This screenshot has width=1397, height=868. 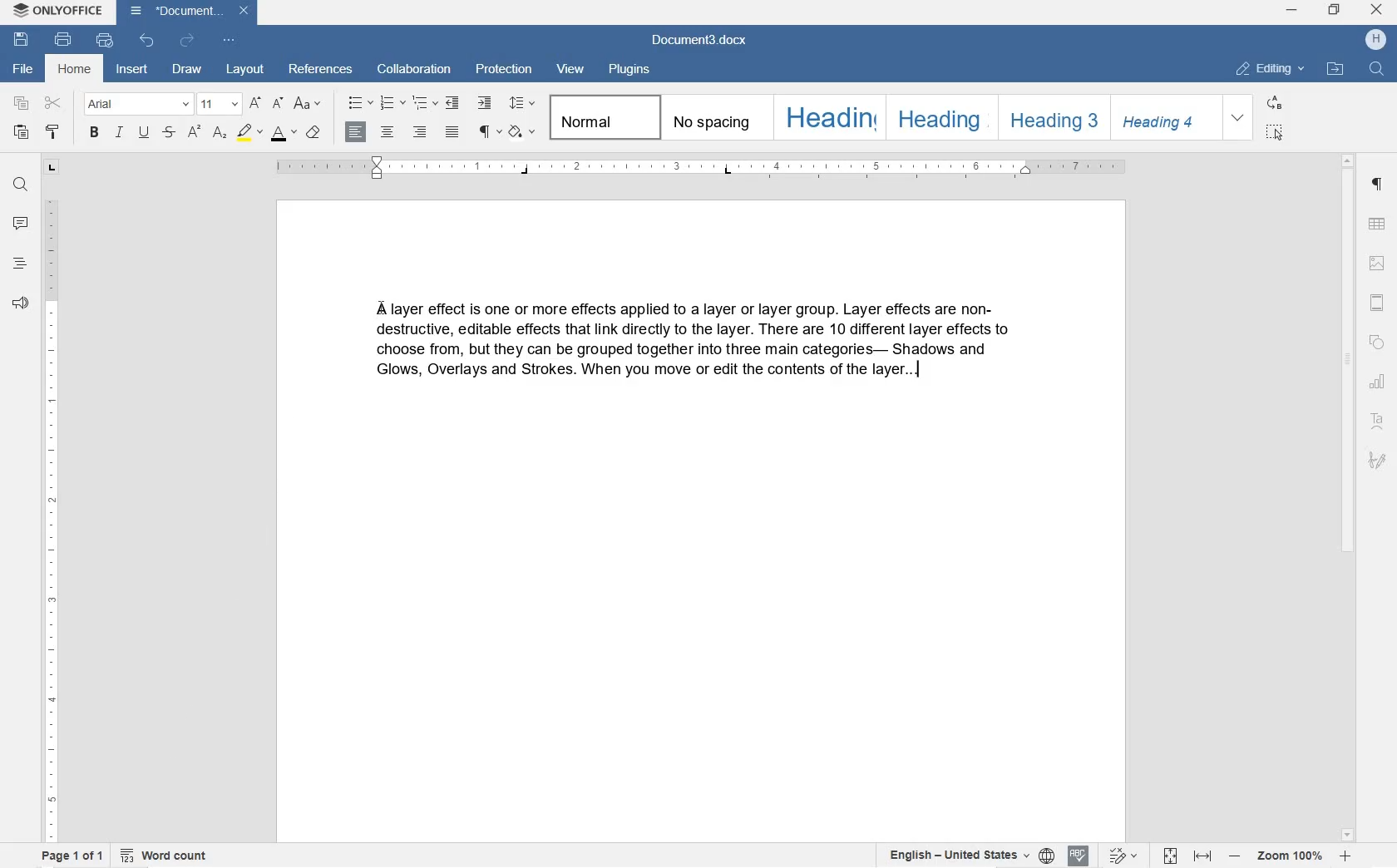 I want to click on HEADERS & FOOTERS, so click(x=1378, y=304).